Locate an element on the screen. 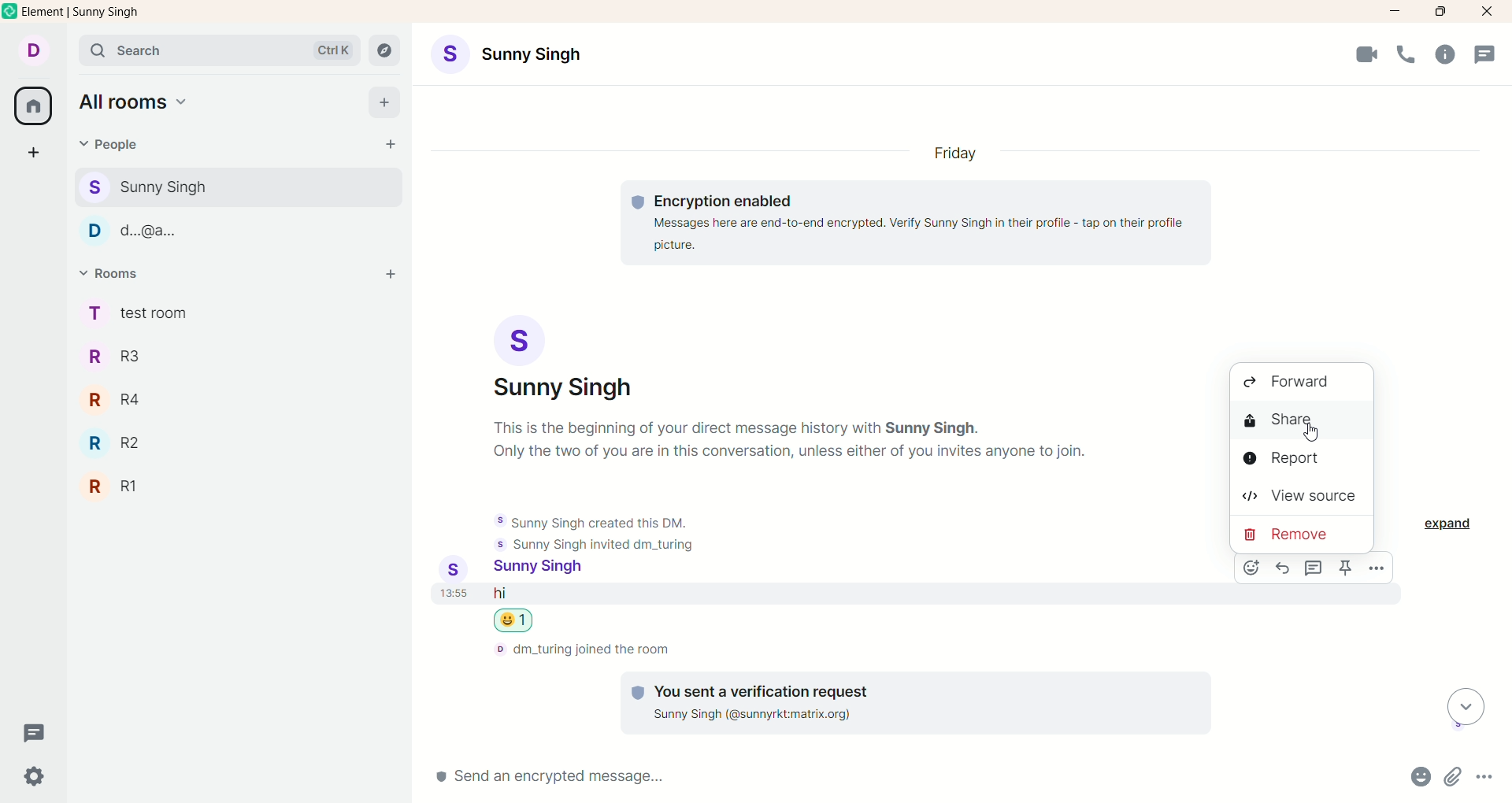  R1 is located at coordinates (129, 487).